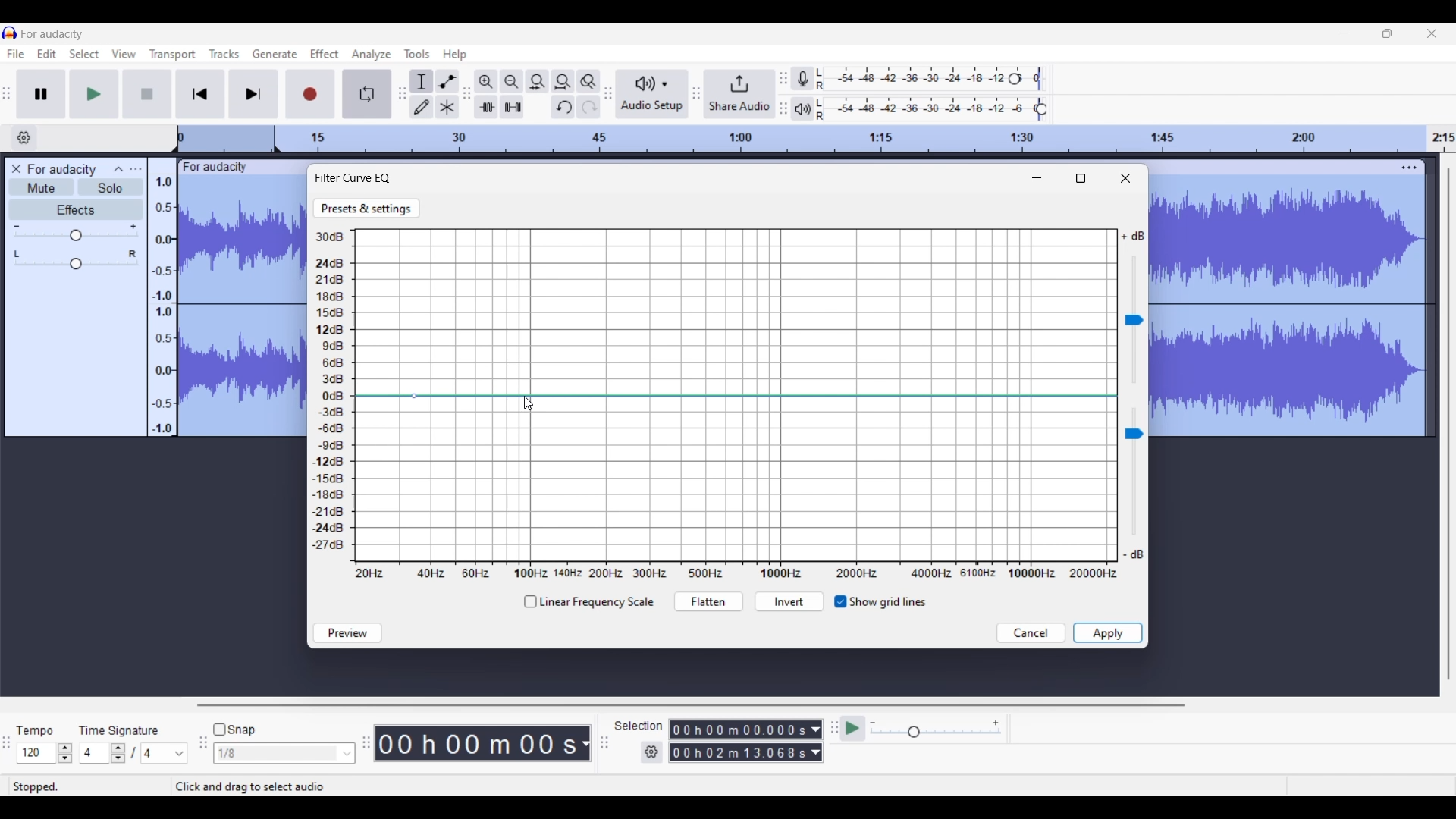 Image resolution: width=1456 pixels, height=819 pixels. What do you see at coordinates (740, 94) in the screenshot?
I see `Share audio` at bounding box center [740, 94].